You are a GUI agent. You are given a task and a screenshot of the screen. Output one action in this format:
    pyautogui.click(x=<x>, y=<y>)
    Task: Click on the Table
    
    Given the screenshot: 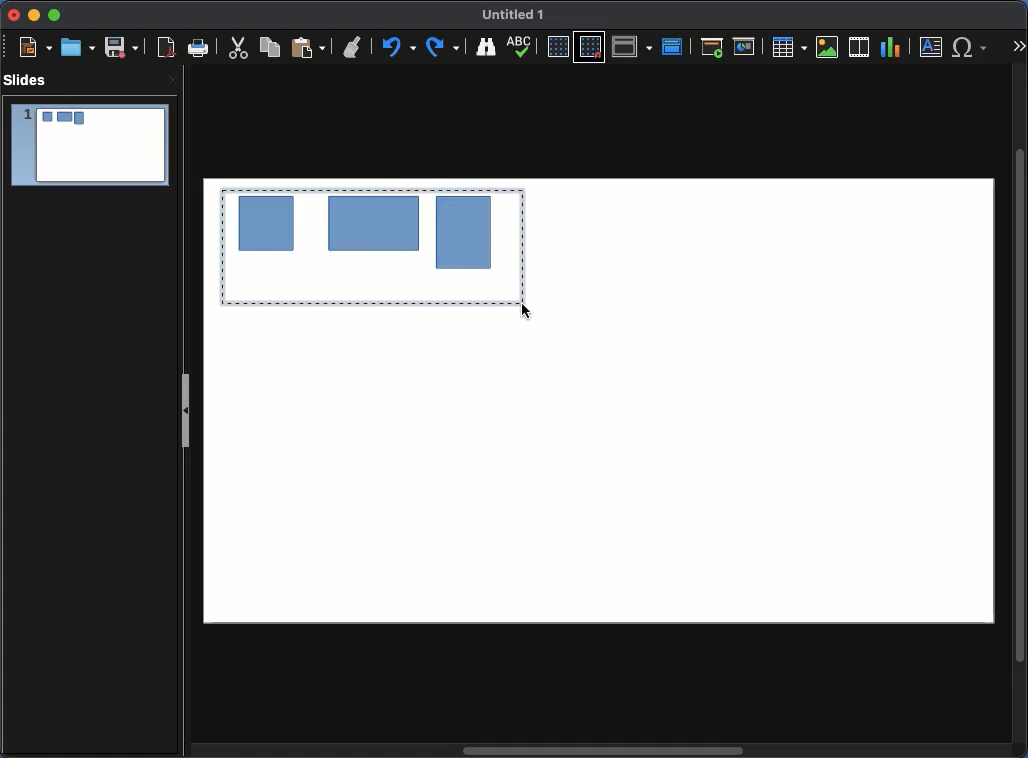 What is the action you would take?
    pyautogui.click(x=790, y=47)
    